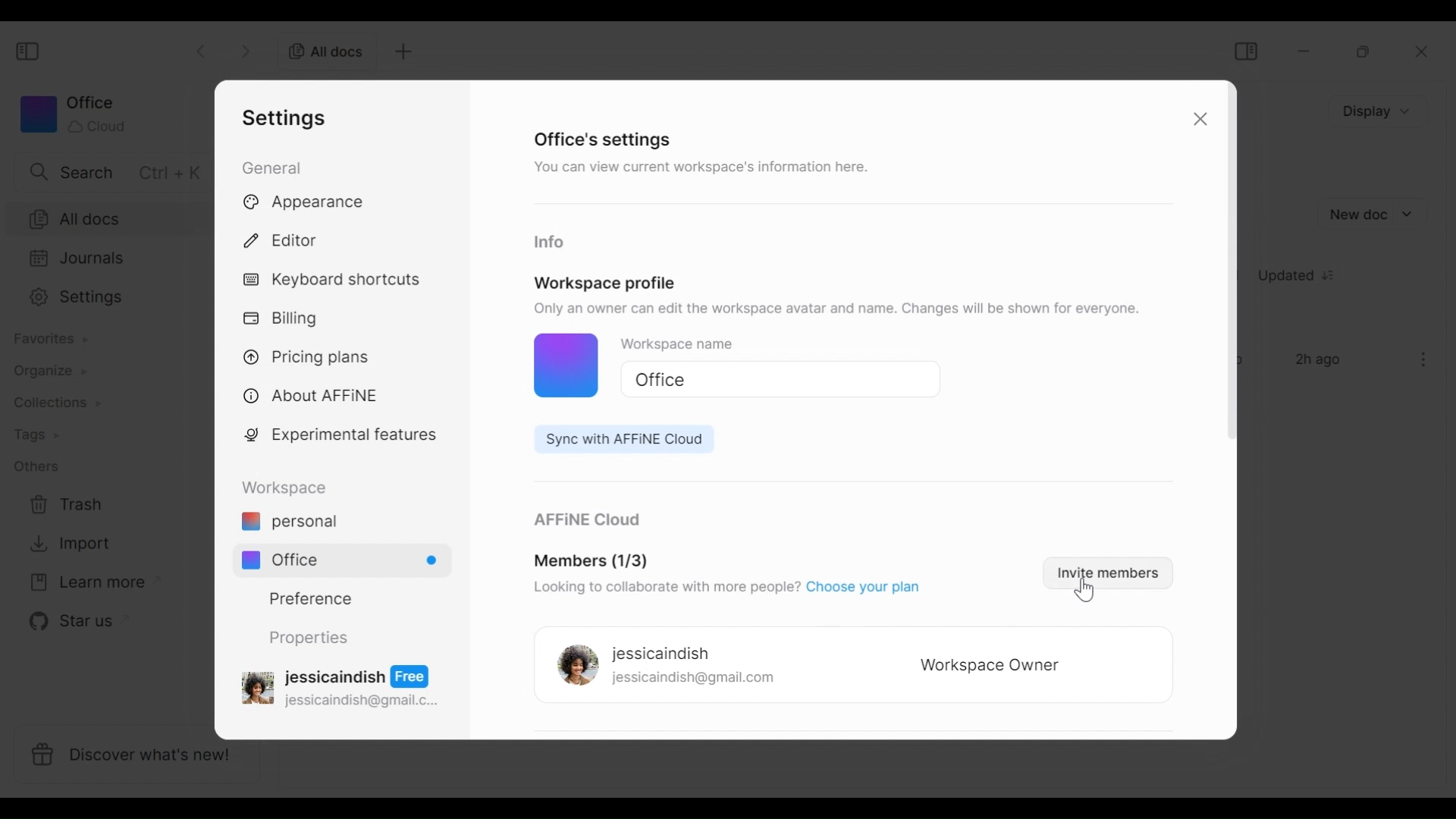 The height and width of the screenshot is (819, 1456). I want to click on Office, so click(773, 380).